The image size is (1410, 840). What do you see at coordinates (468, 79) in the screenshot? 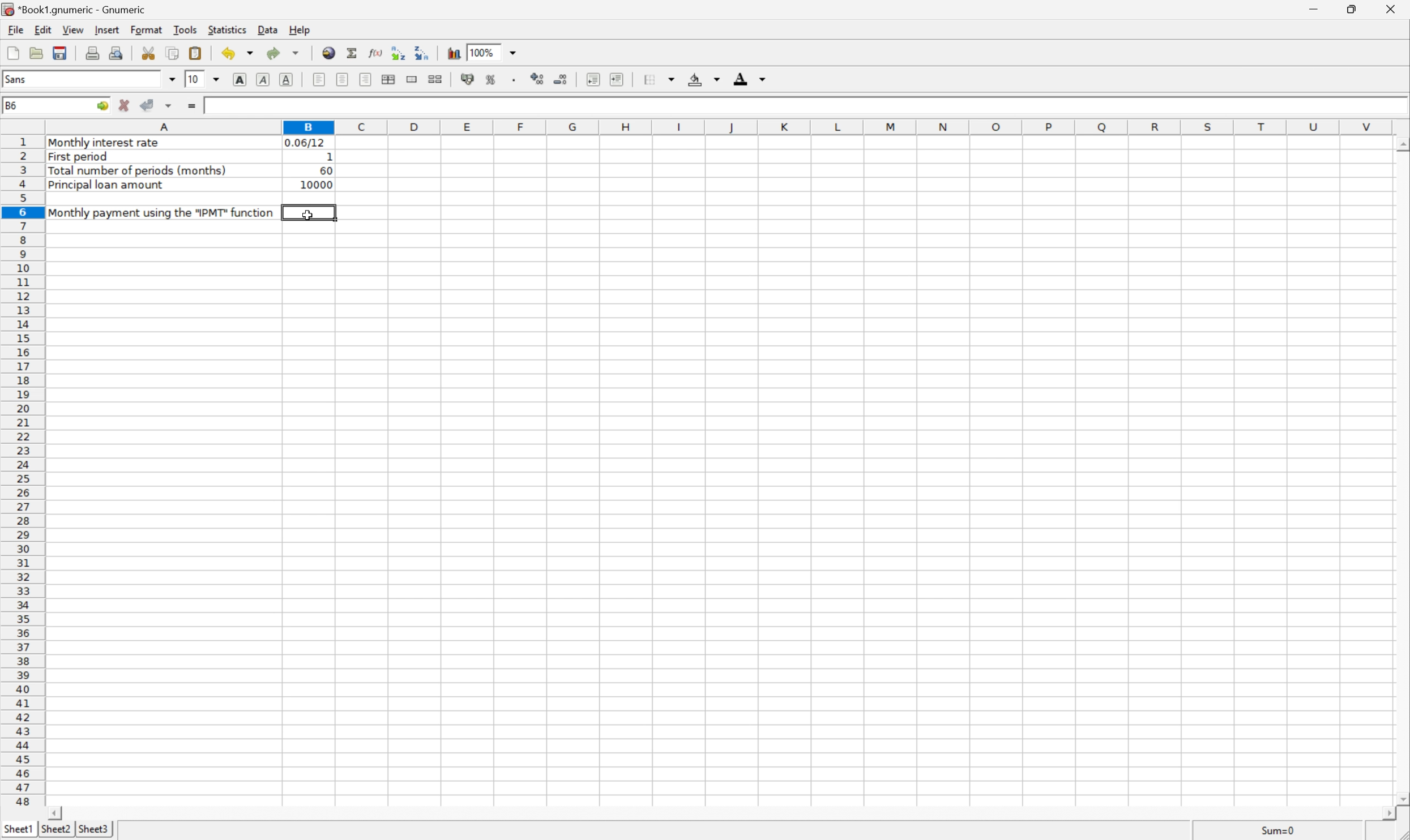
I see `Format the selection as accounting` at bounding box center [468, 79].